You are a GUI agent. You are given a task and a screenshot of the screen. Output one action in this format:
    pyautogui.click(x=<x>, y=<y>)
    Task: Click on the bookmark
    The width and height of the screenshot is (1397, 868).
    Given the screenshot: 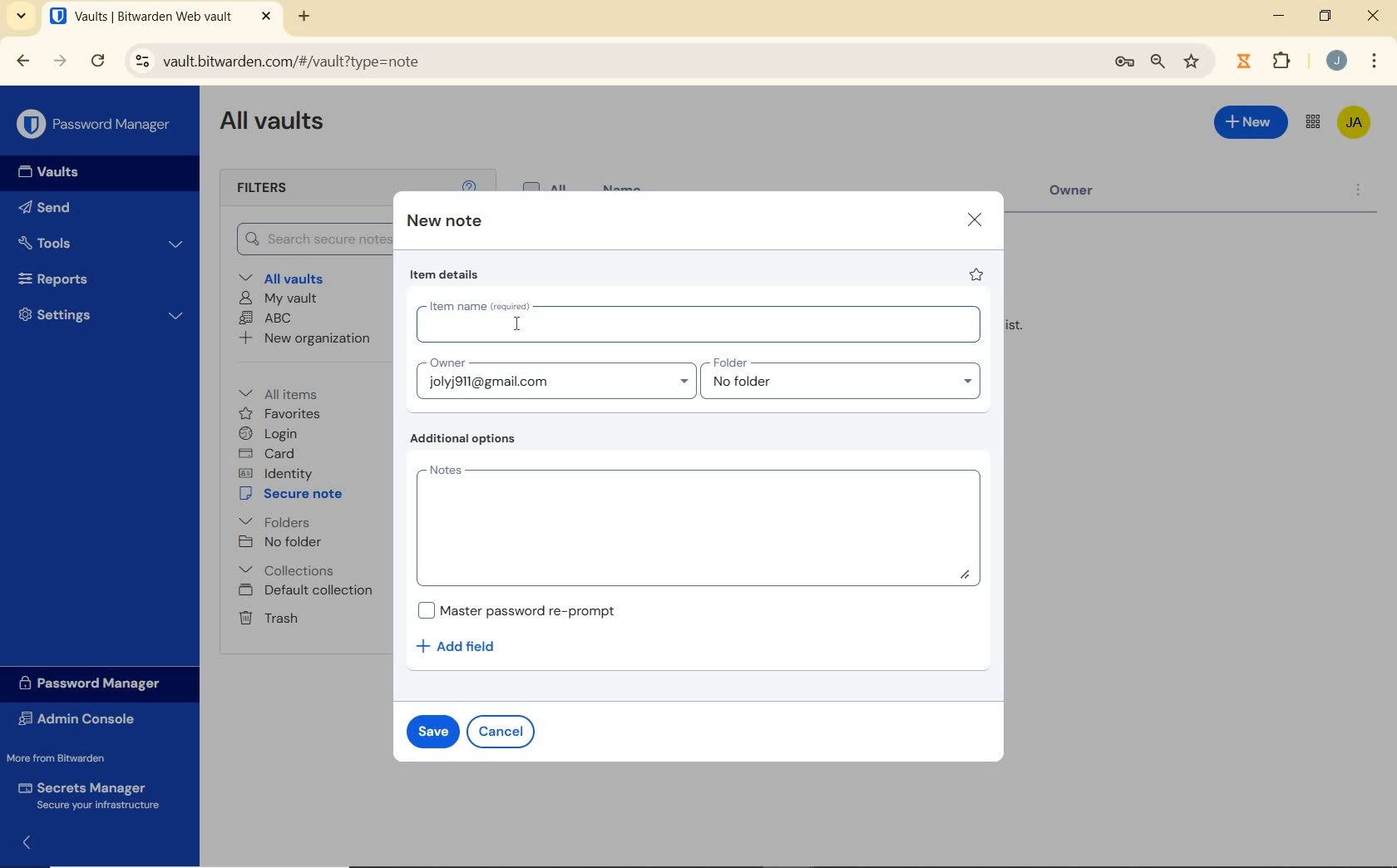 What is the action you would take?
    pyautogui.click(x=1193, y=62)
    